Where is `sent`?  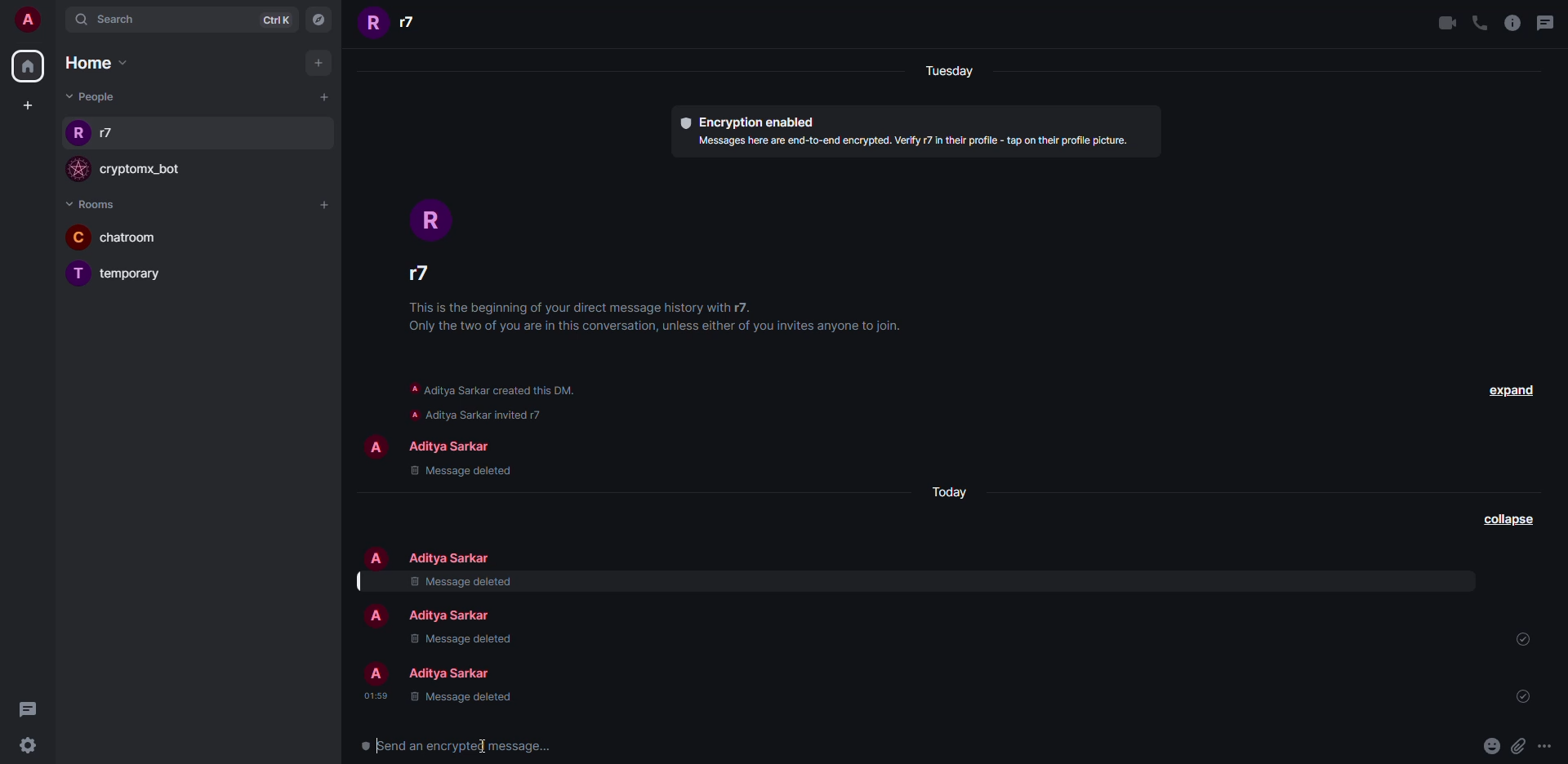
sent is located at coordinates (1522, 639).